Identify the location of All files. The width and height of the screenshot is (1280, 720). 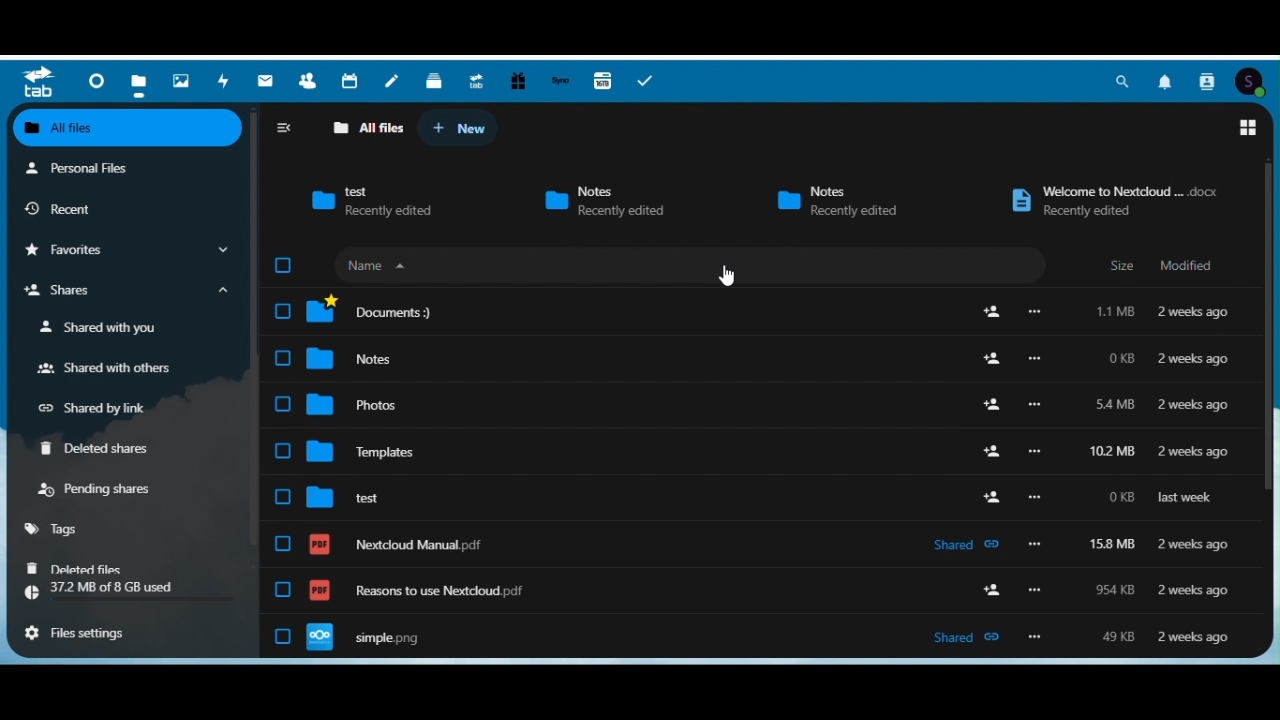
(360, 128).